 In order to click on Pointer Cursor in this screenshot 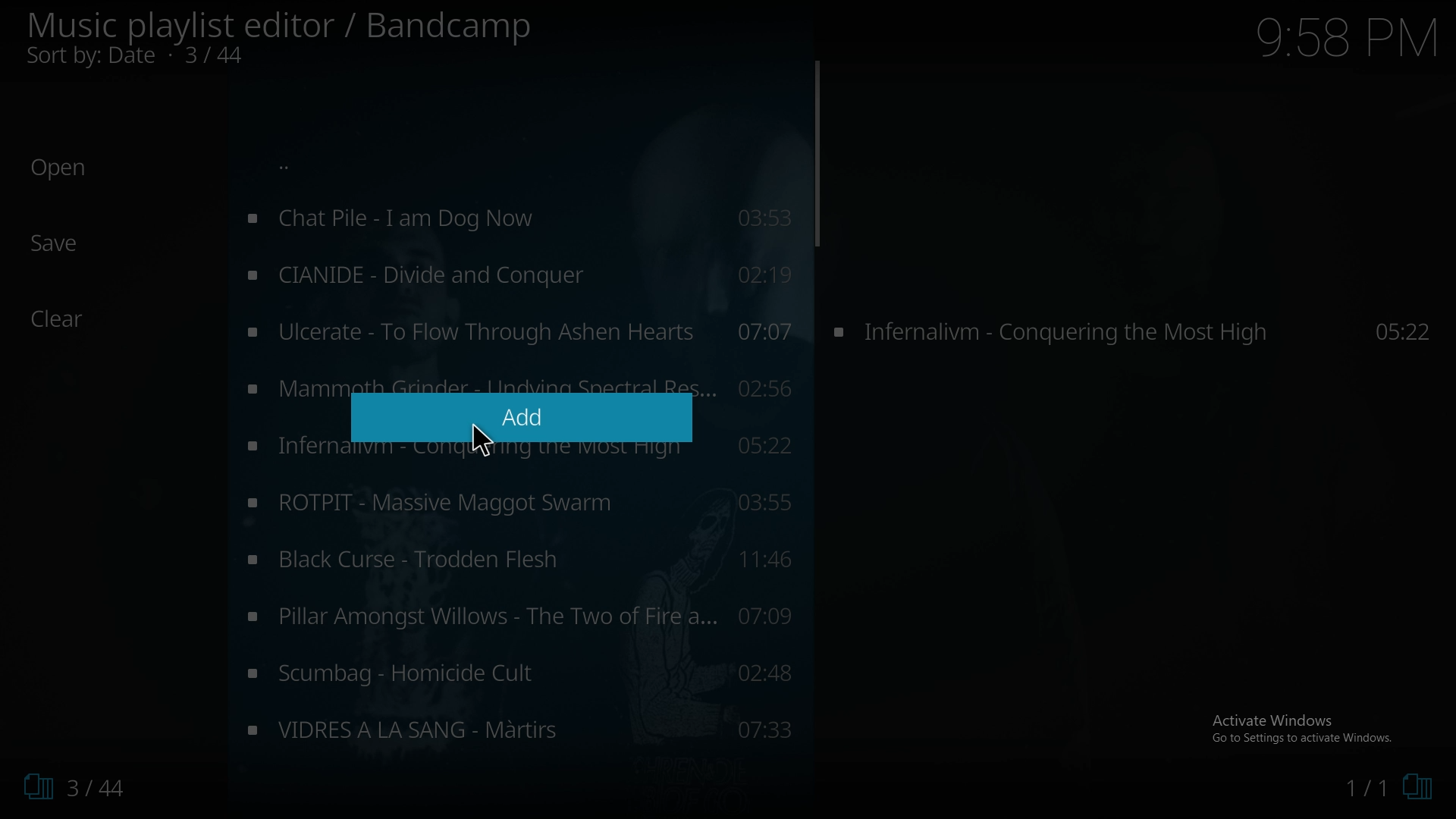, I will do `click(479, 444)`.